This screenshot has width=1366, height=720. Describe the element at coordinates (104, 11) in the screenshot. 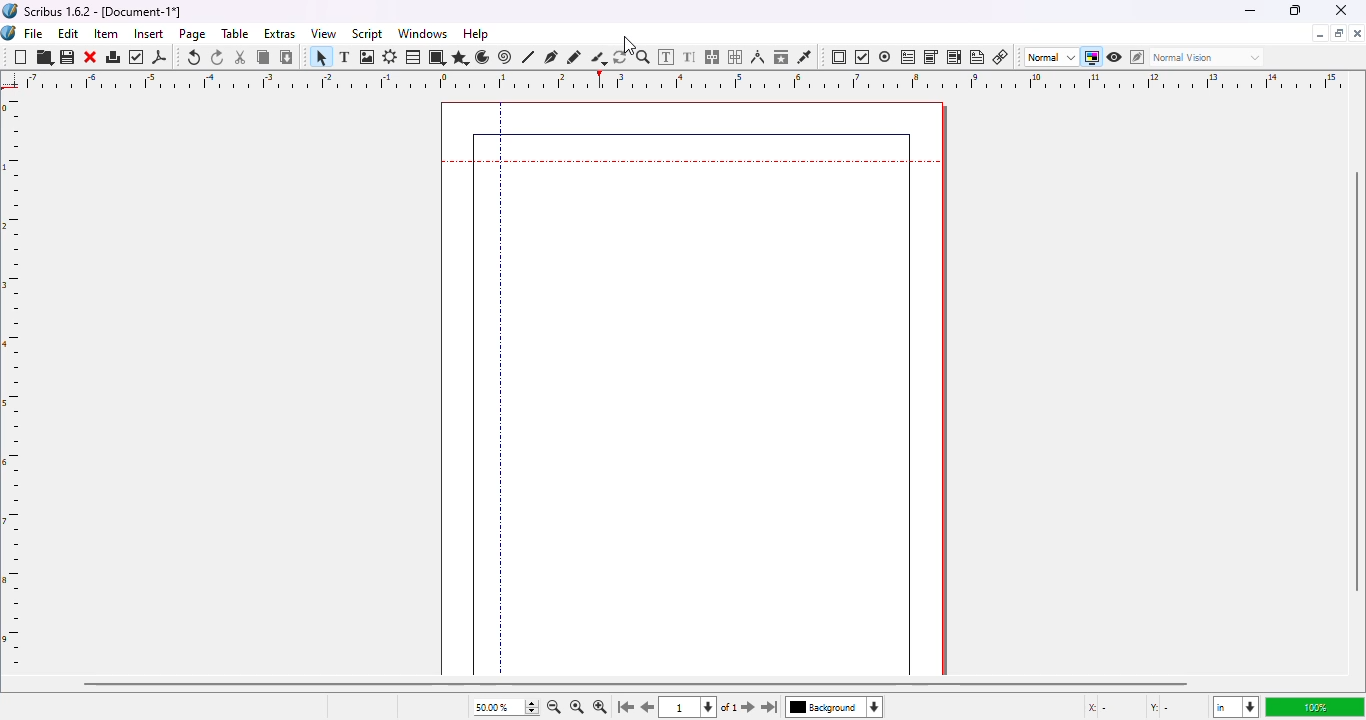

I see `Scribus 1.6.2 - [Document-1*]` at that location.